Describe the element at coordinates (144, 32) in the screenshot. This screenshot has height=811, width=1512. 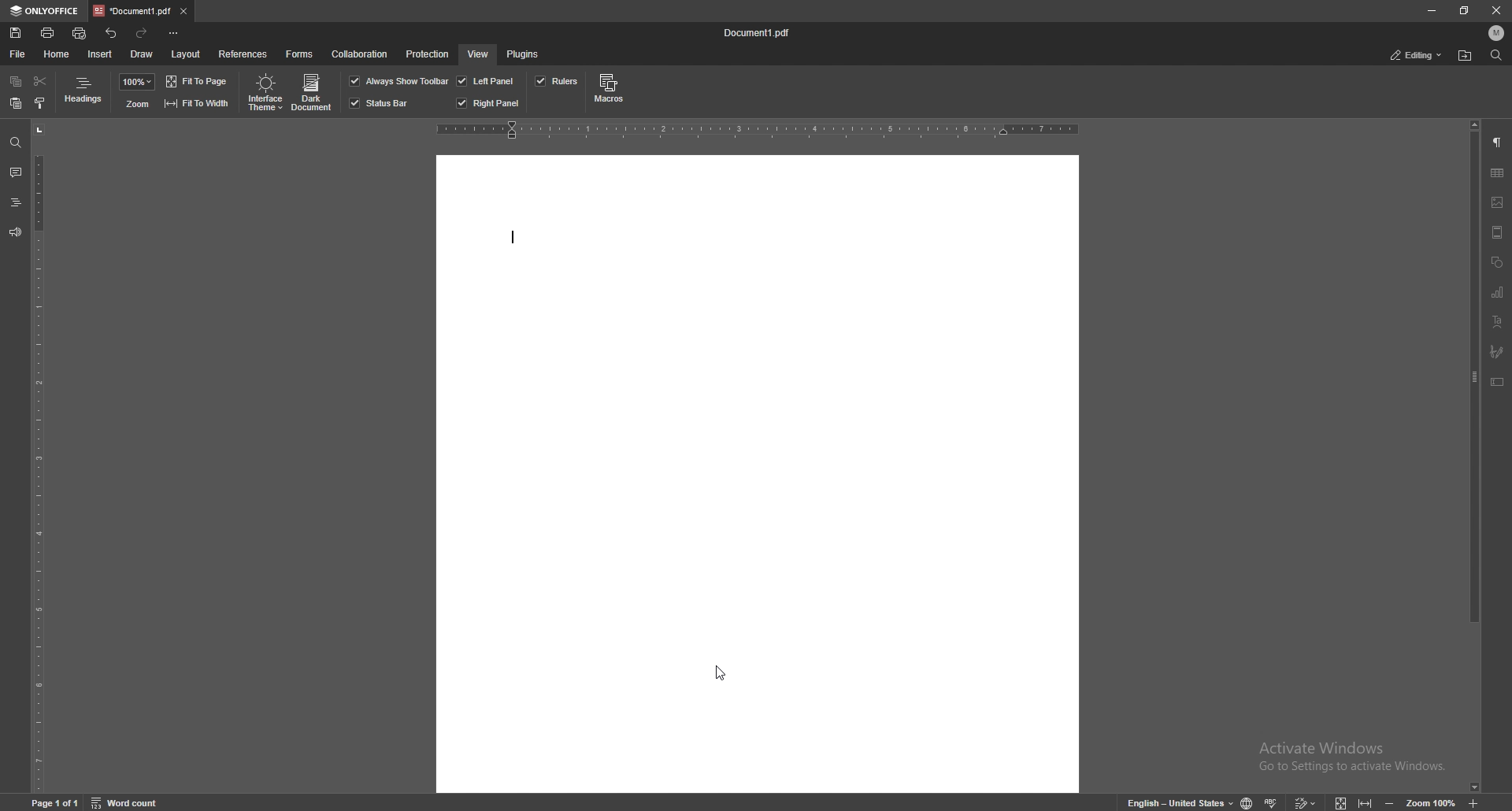
I see `redo` at that location.